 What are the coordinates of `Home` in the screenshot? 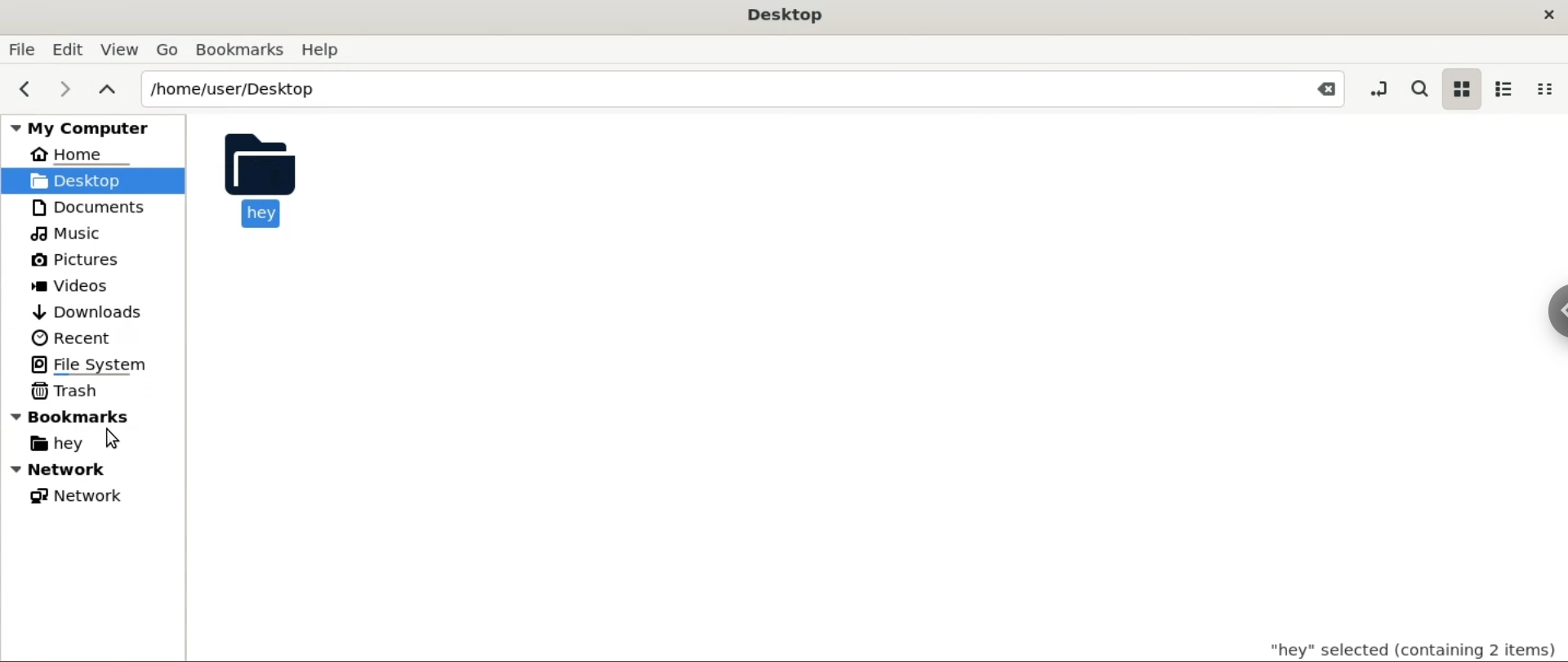 It's located at (76, 157).